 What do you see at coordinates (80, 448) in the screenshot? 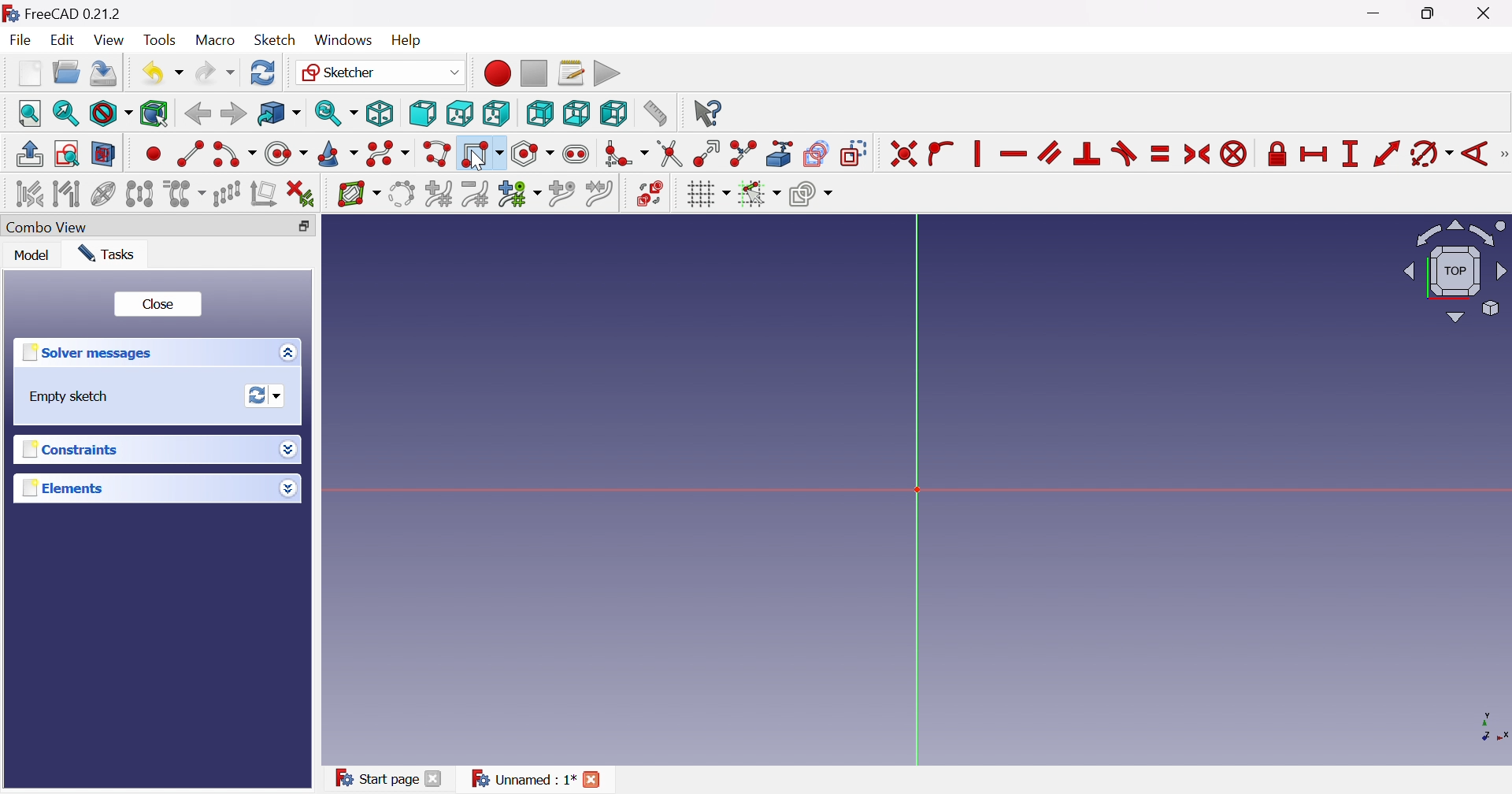
I see `Constraints` at bounding box center [80, 448].